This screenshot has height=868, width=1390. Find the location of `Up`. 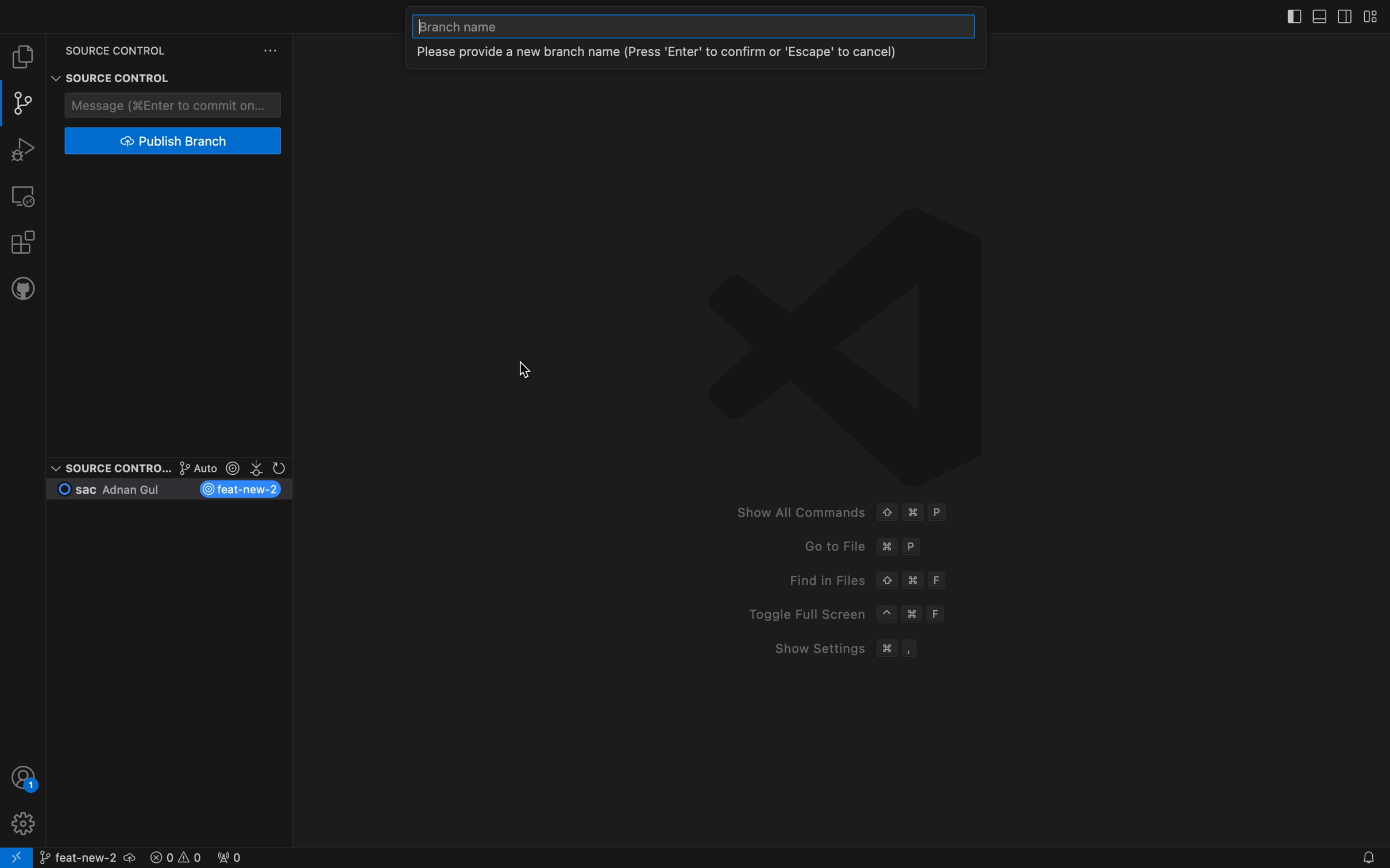

Up is located at coordinates (886, 511).